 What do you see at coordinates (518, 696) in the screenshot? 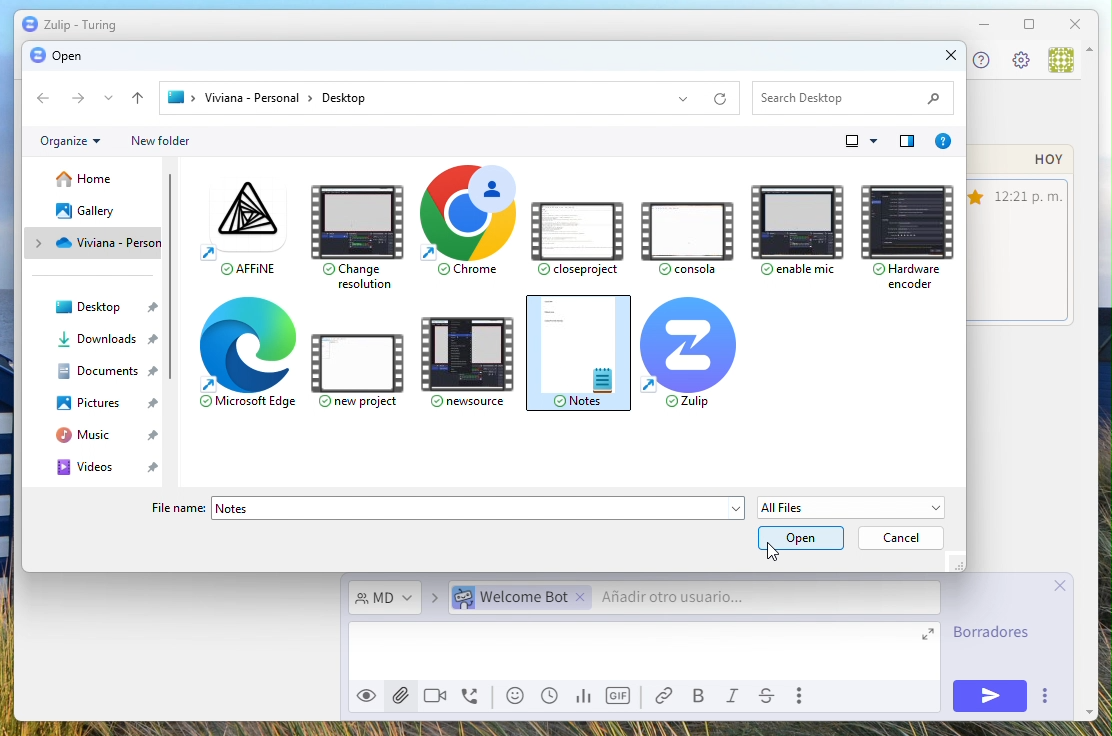
I see `Face` at bounding box center [518, 696].